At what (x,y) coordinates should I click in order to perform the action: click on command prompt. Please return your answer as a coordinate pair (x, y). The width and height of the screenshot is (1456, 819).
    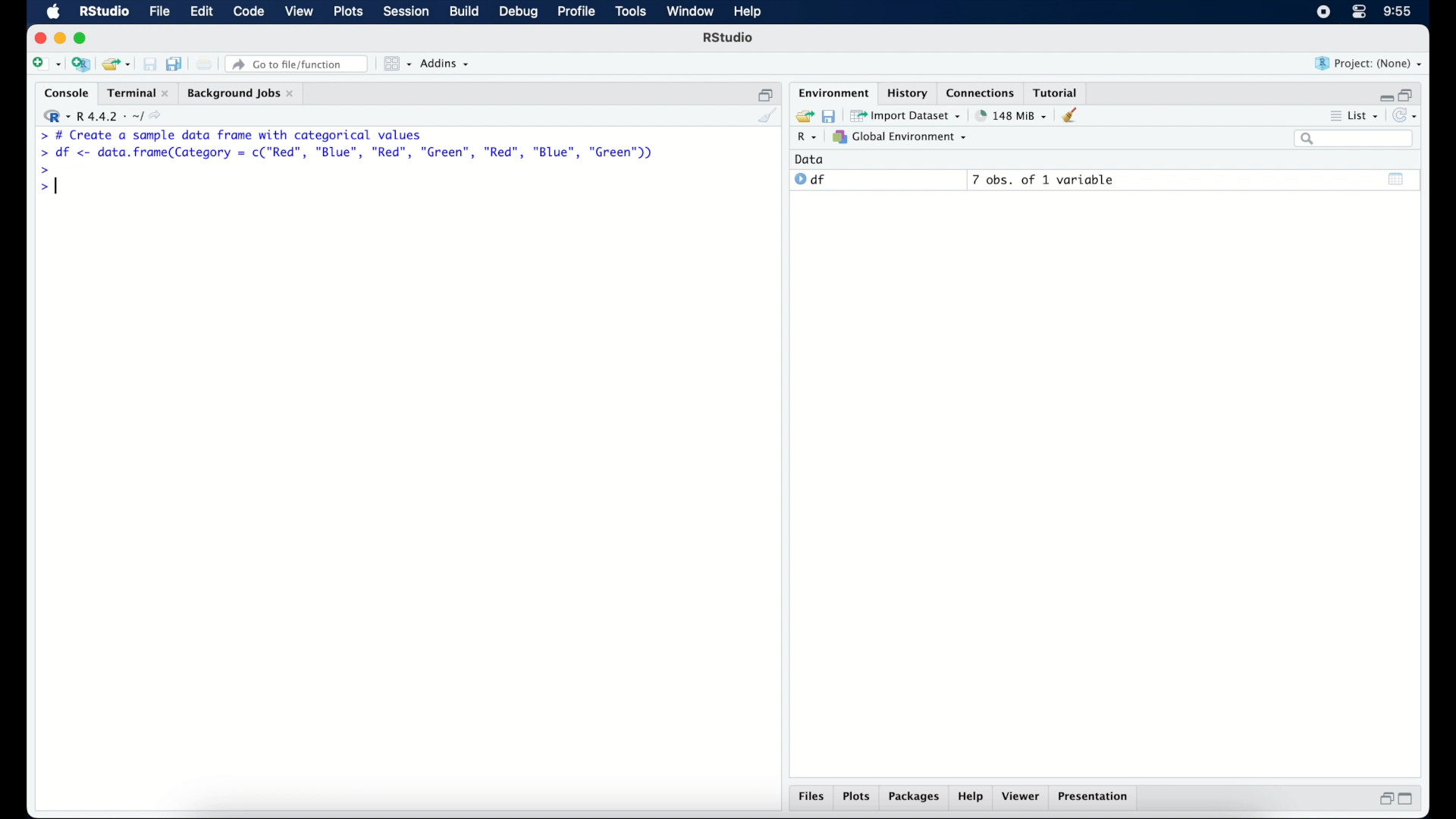
    Looking at the image, I should click on (38, 135).